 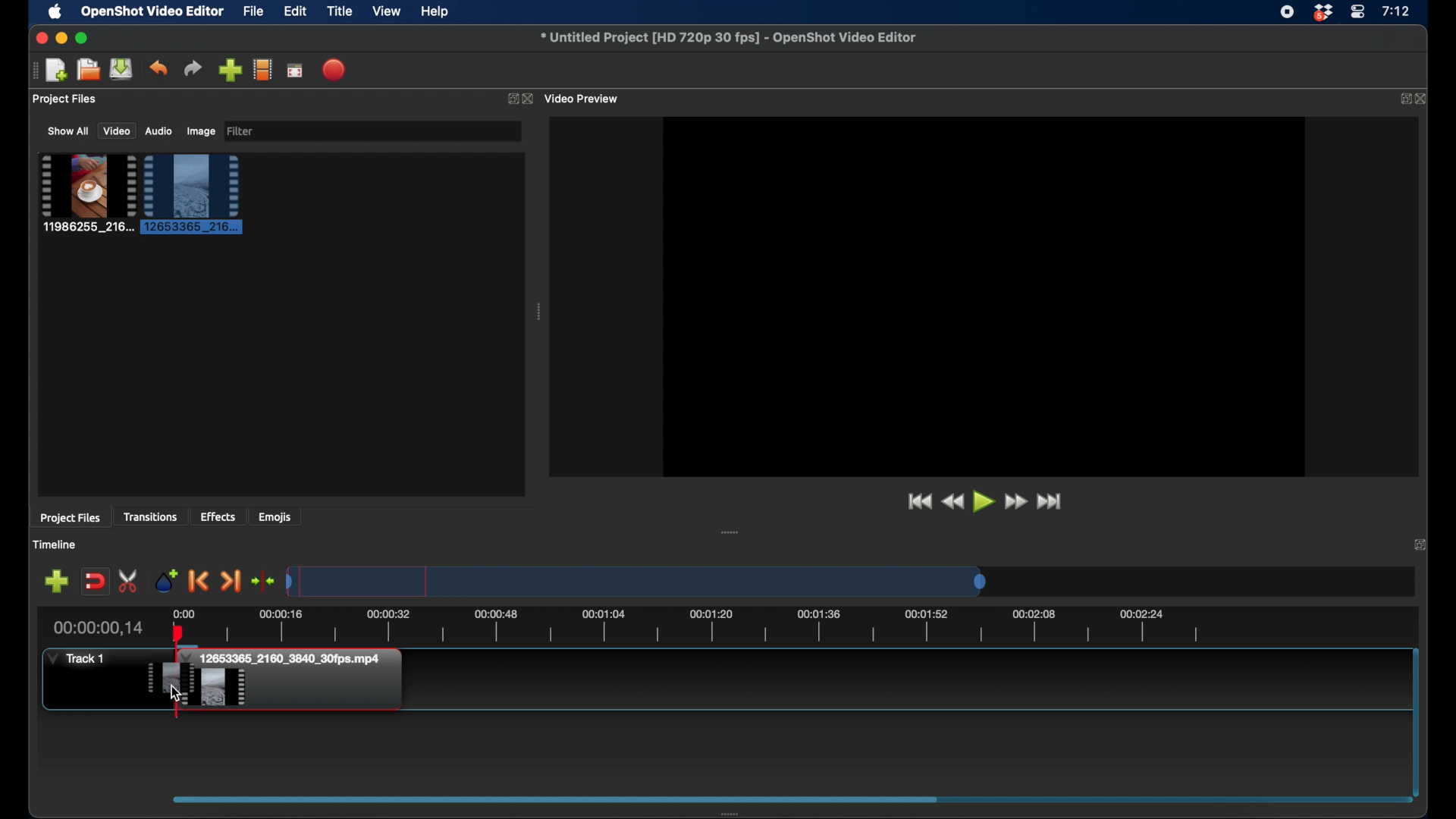 I want to click on file, so click(x=253, y=11).